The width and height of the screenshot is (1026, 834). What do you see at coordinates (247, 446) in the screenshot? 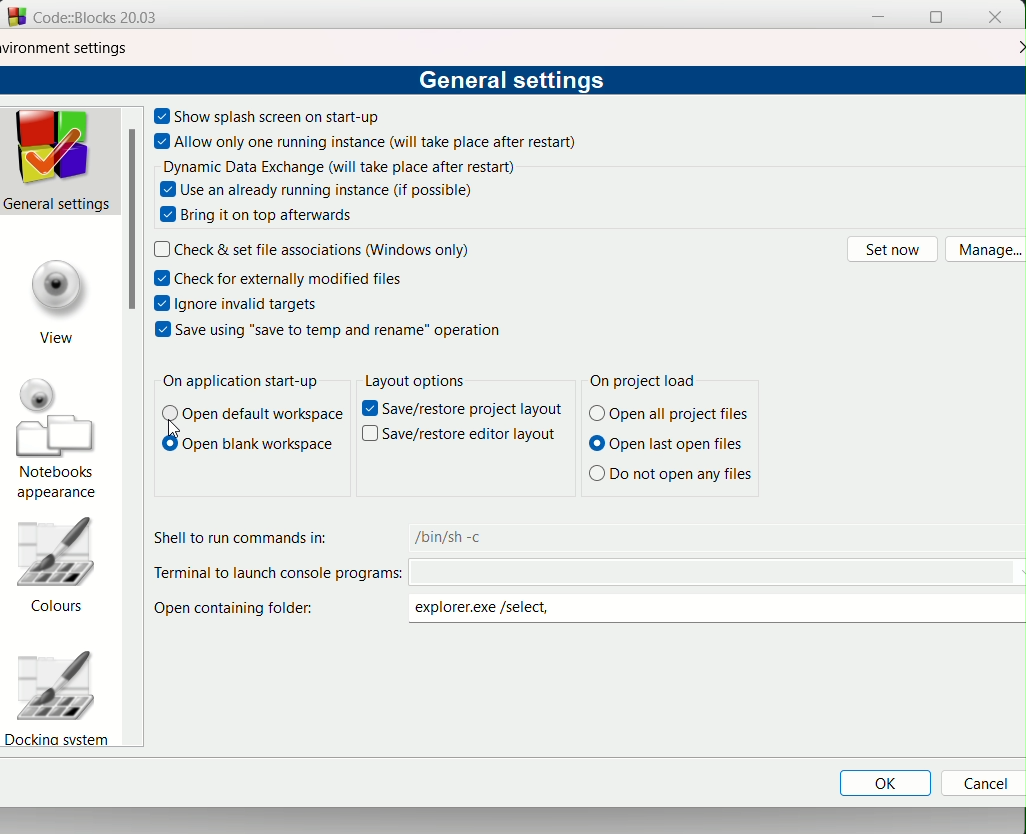
I see `text` at bounding box center [247, 446].